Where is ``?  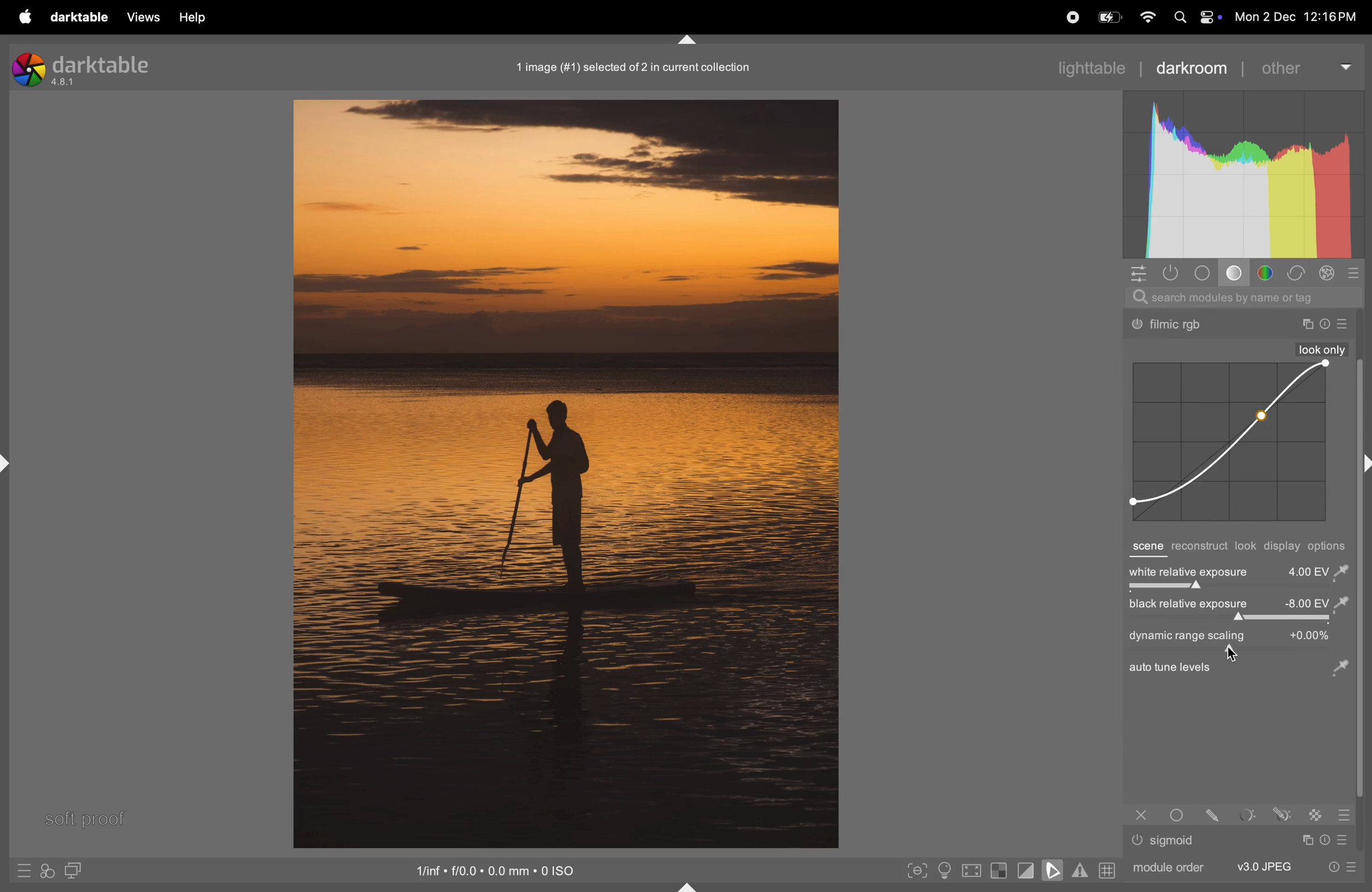
 is located at coordinates (1325, 324).